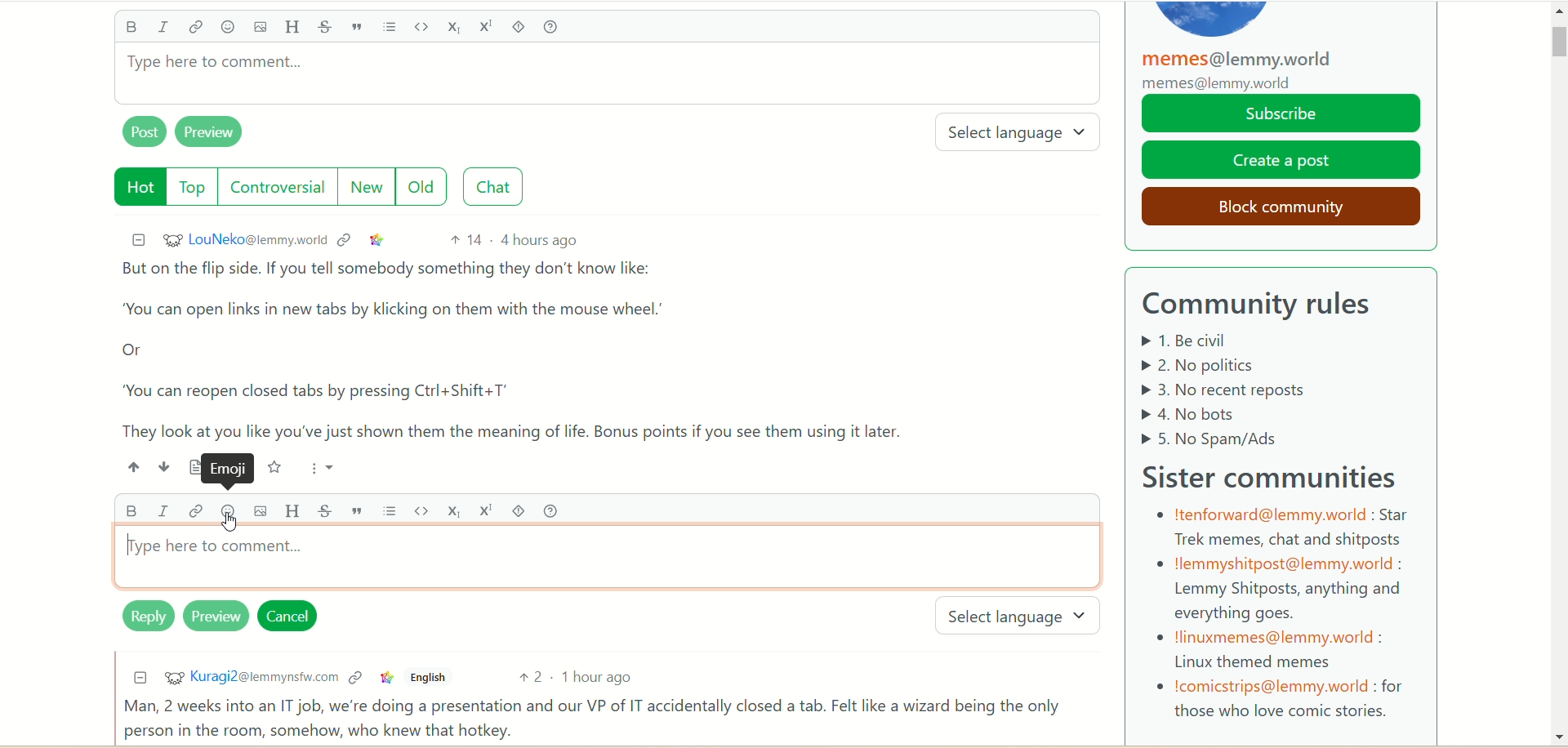 This screenshot has width=1568, height=748. I want to click on select language, so click(1025, 134).